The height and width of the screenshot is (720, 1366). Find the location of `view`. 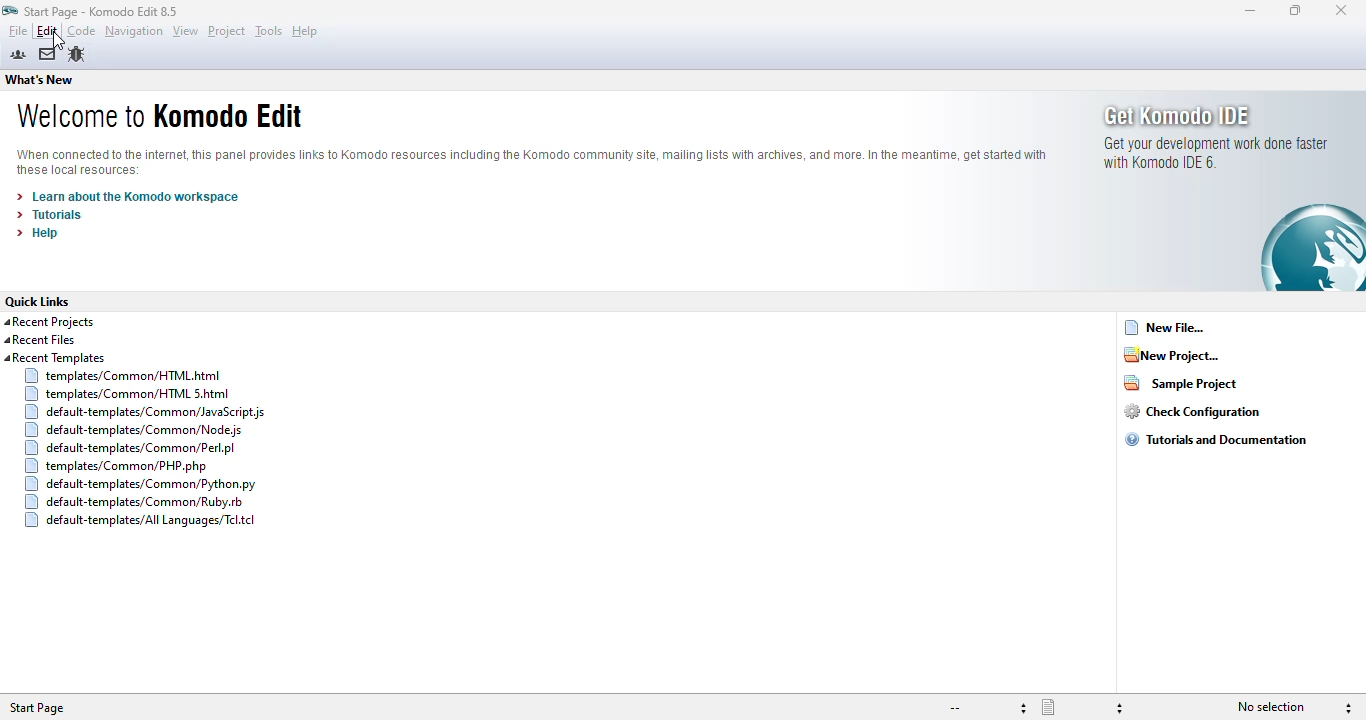

view is located at coordinates (185, 31).